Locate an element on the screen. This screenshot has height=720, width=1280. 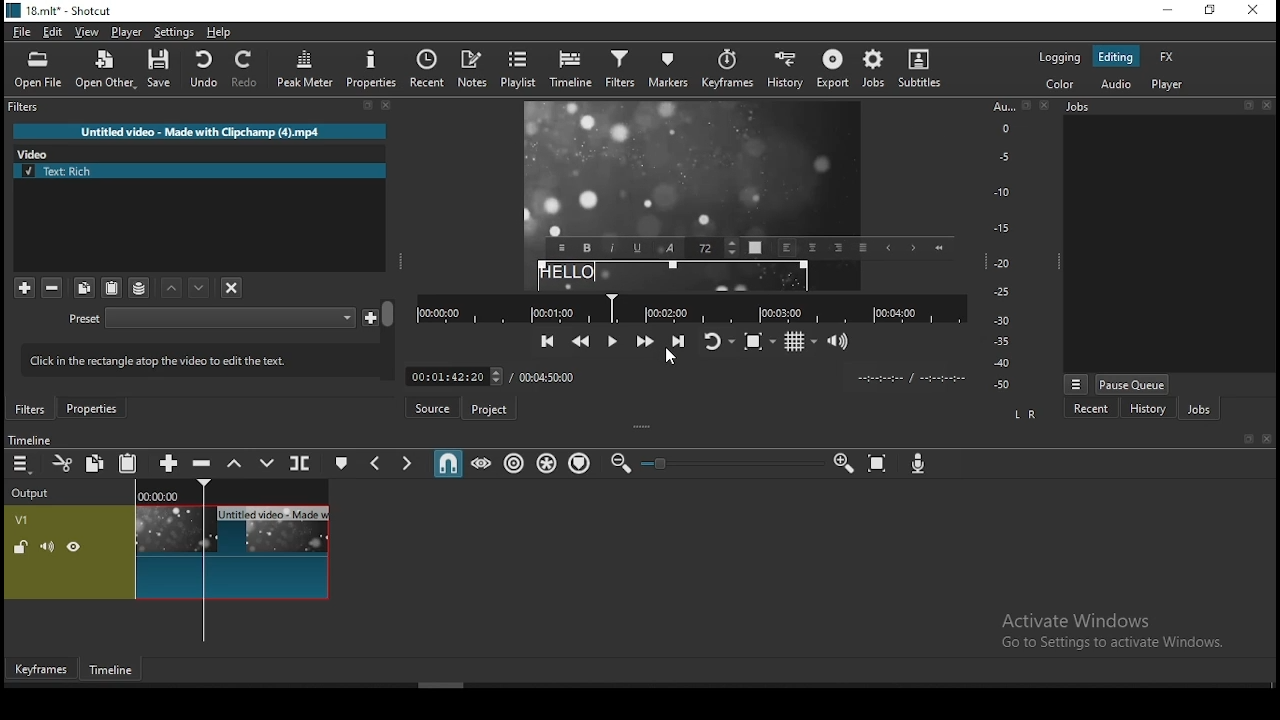
mouse pointer is located at coordinates (671, 361).